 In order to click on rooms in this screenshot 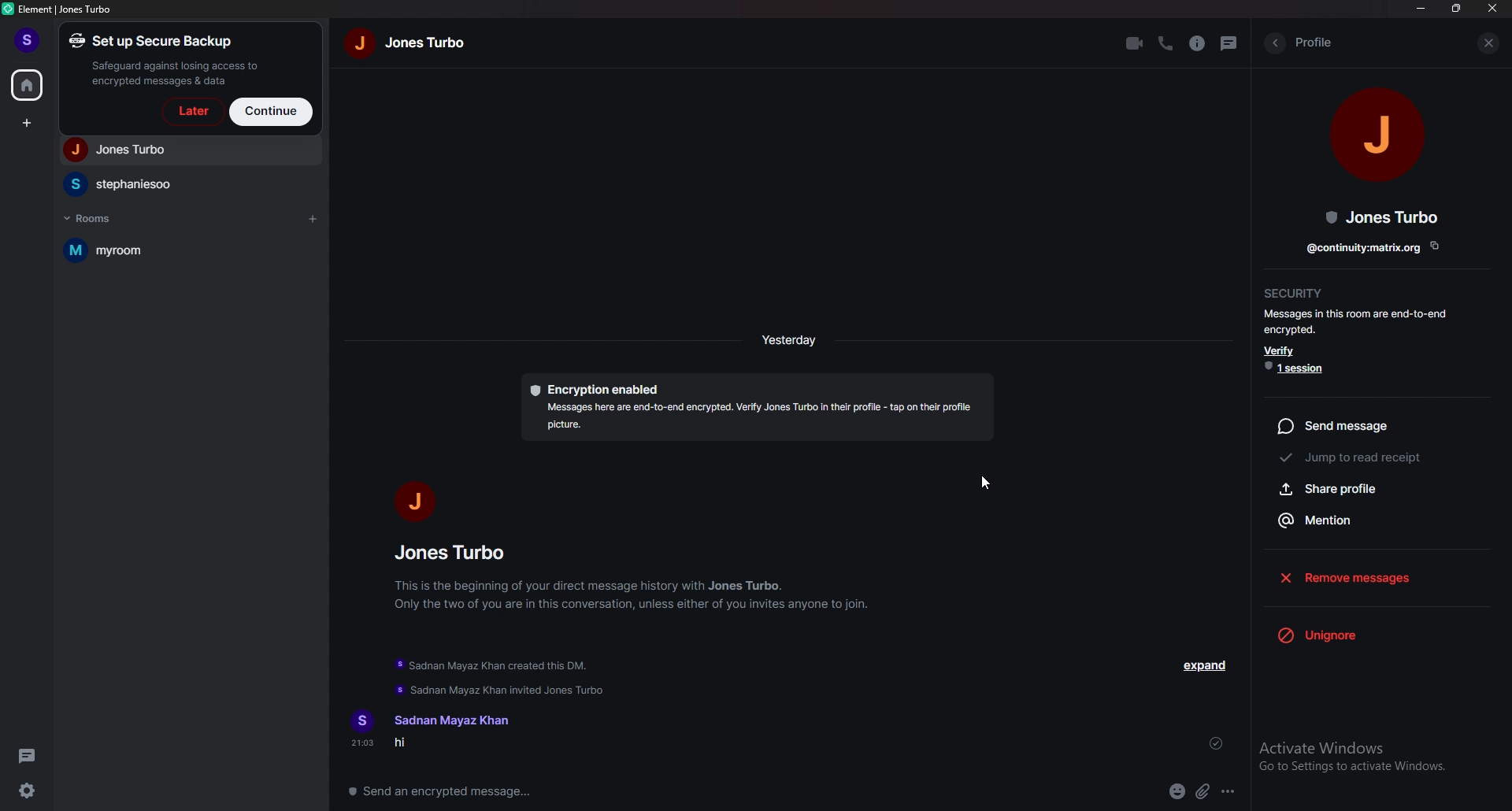, I will do `click(95, 217)`.